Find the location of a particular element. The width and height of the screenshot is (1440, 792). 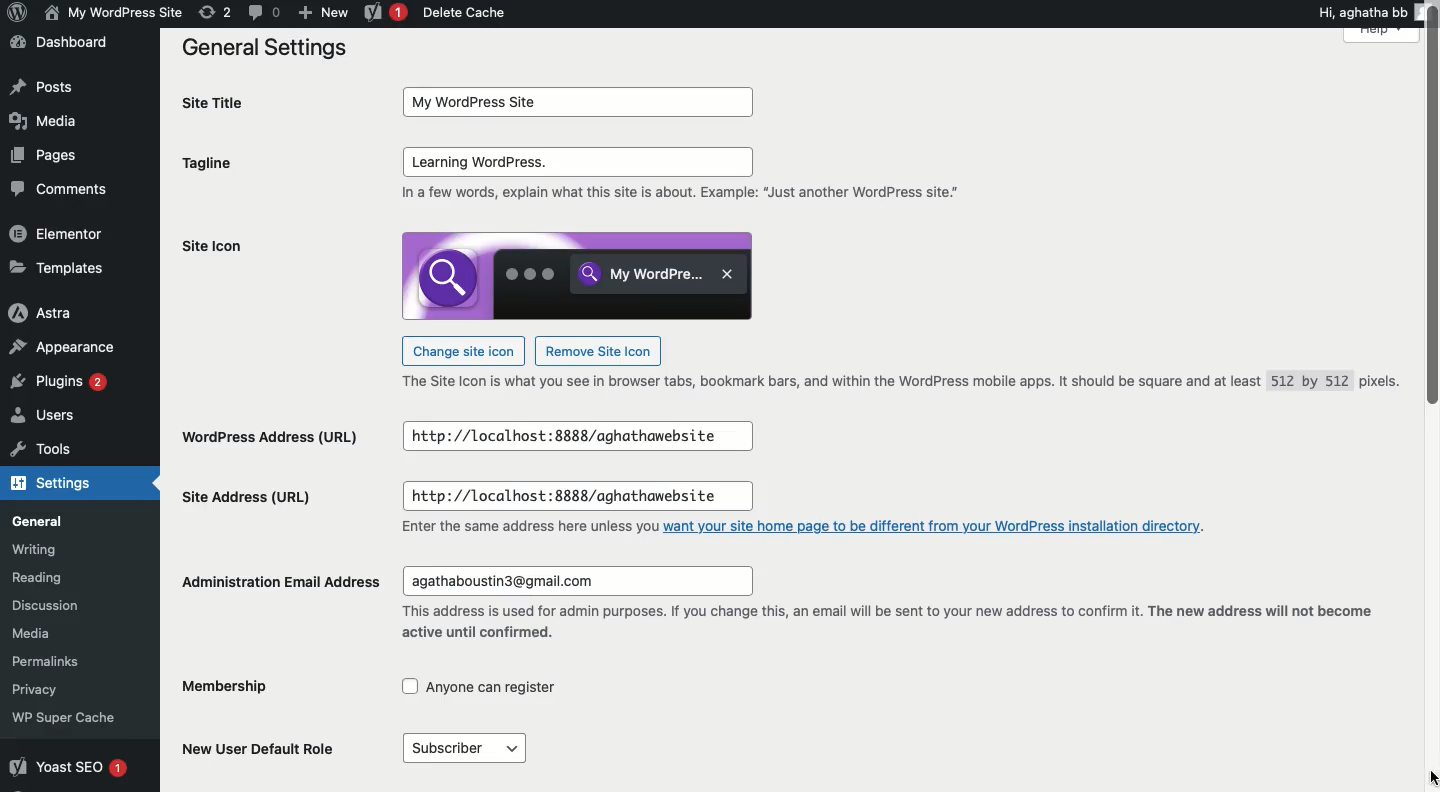

Delete cache is located at coordinates (466, 14).